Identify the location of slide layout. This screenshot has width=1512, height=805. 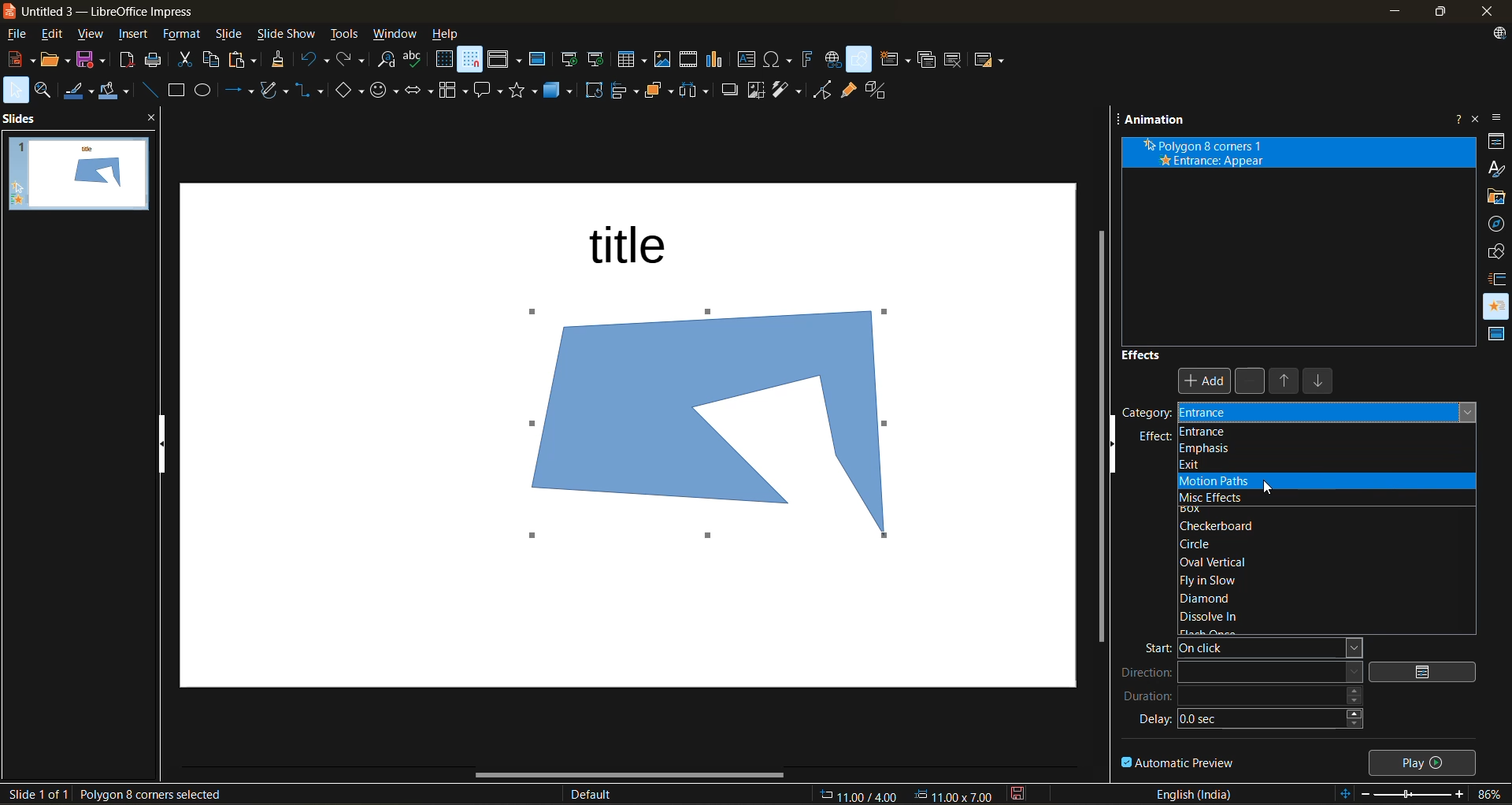
(991, 62).